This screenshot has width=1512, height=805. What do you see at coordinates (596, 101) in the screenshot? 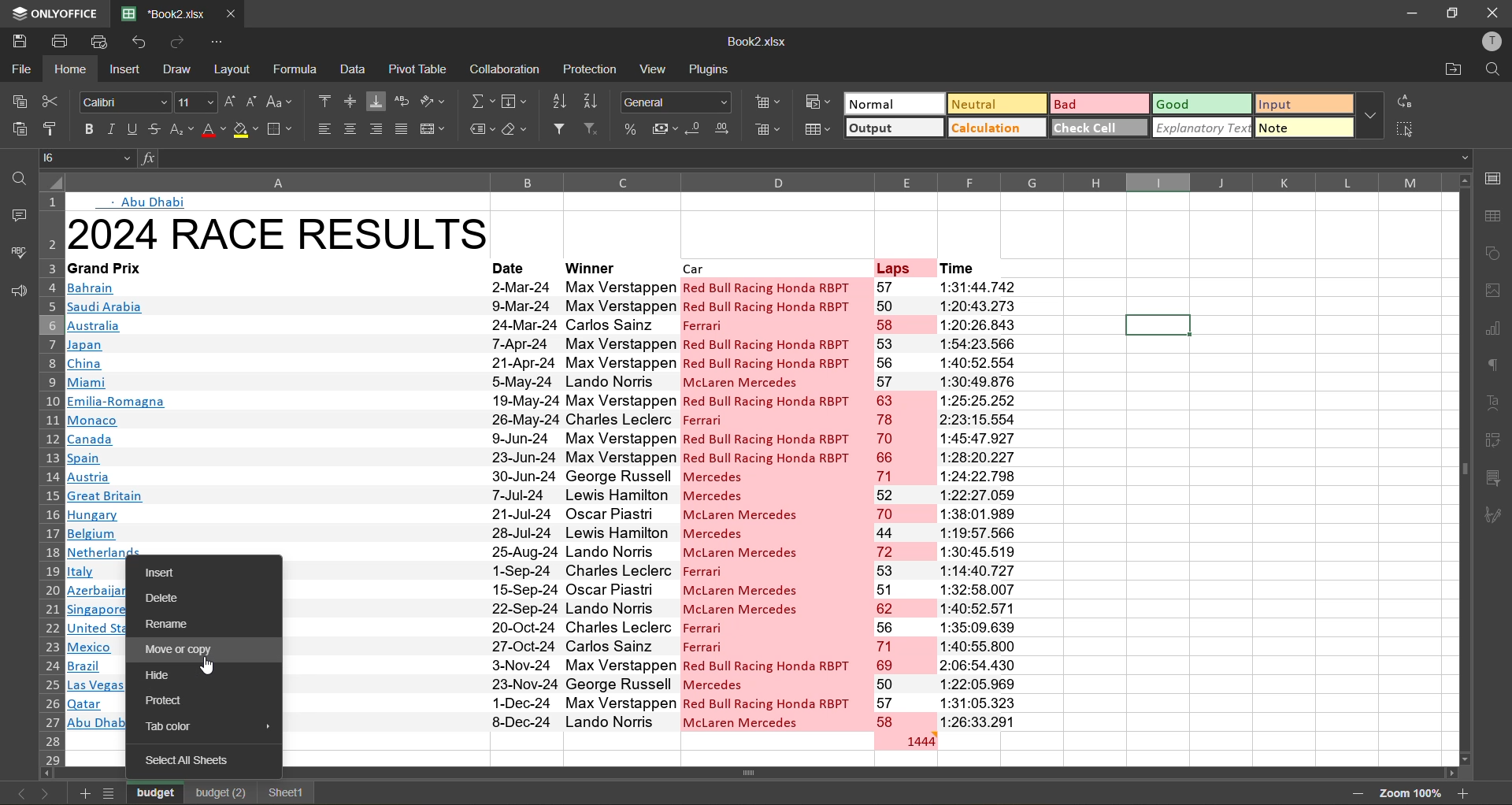
I see `sort descending` at bounding box center [596, 101].